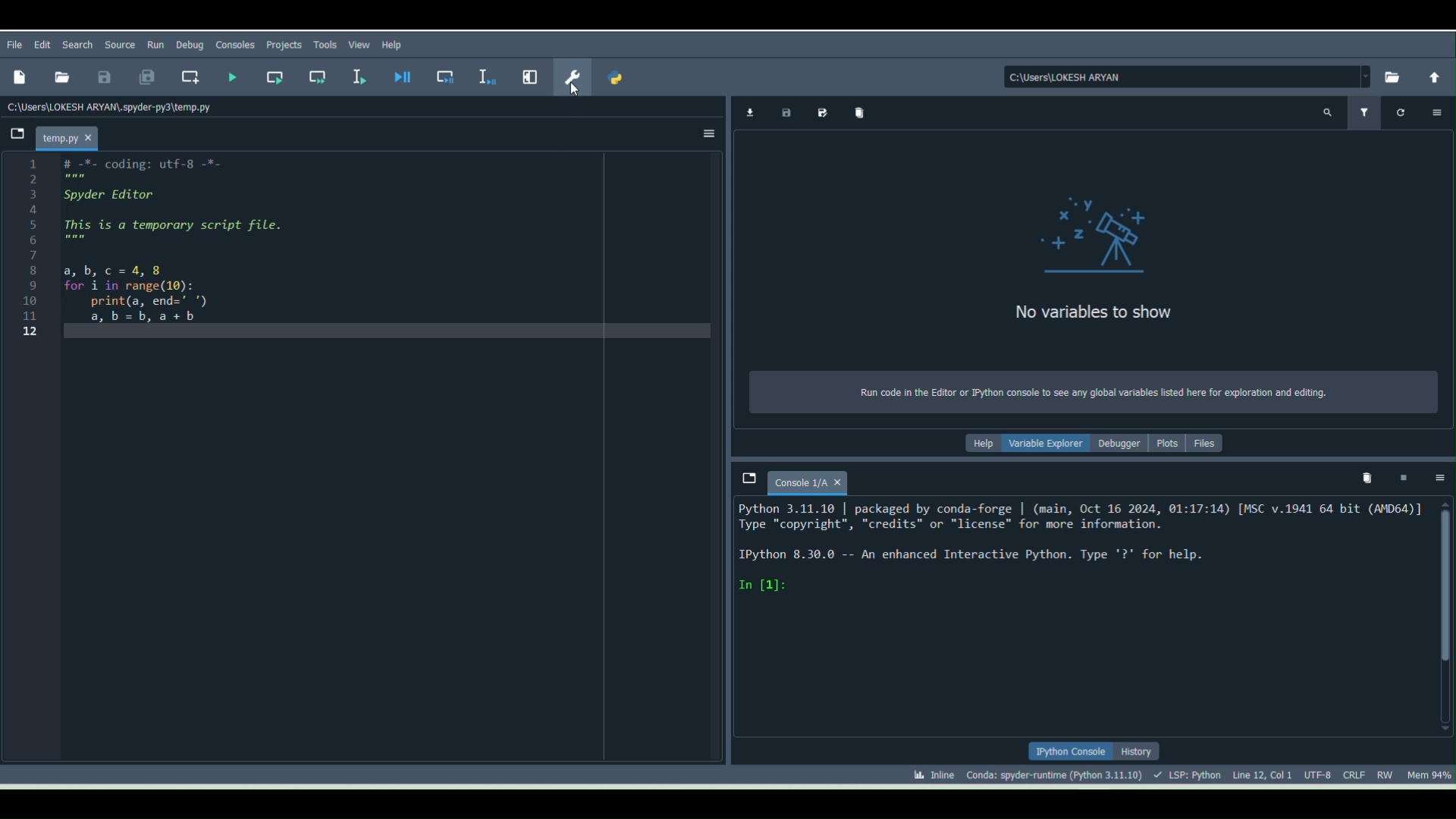  What do you see at coordinates (274, 74) in the screenshot?
I see `Run current cell( Ctrl + Return)` at bounding box center [274, 74].